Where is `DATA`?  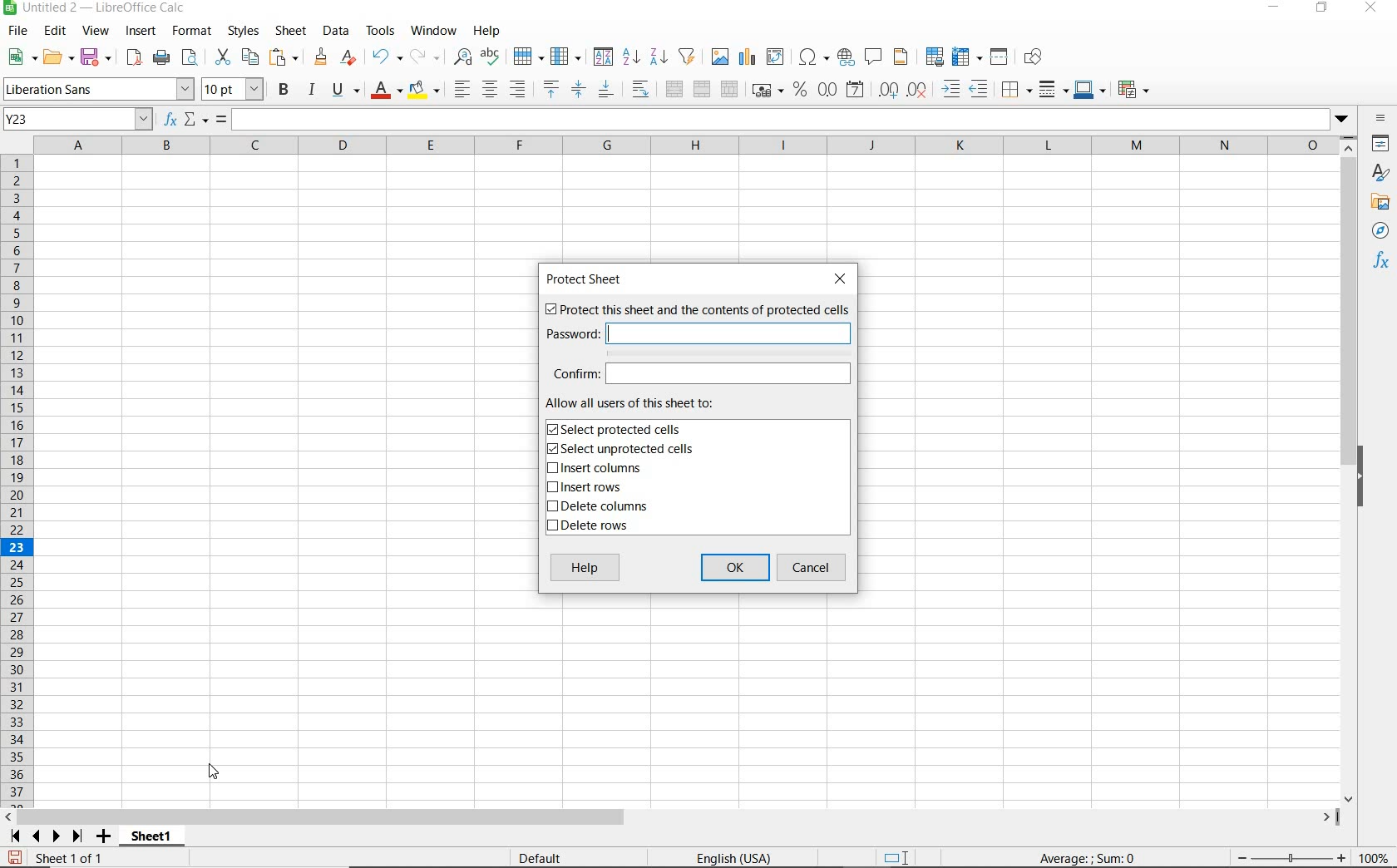
DATA is located at coordinates (336, 32).